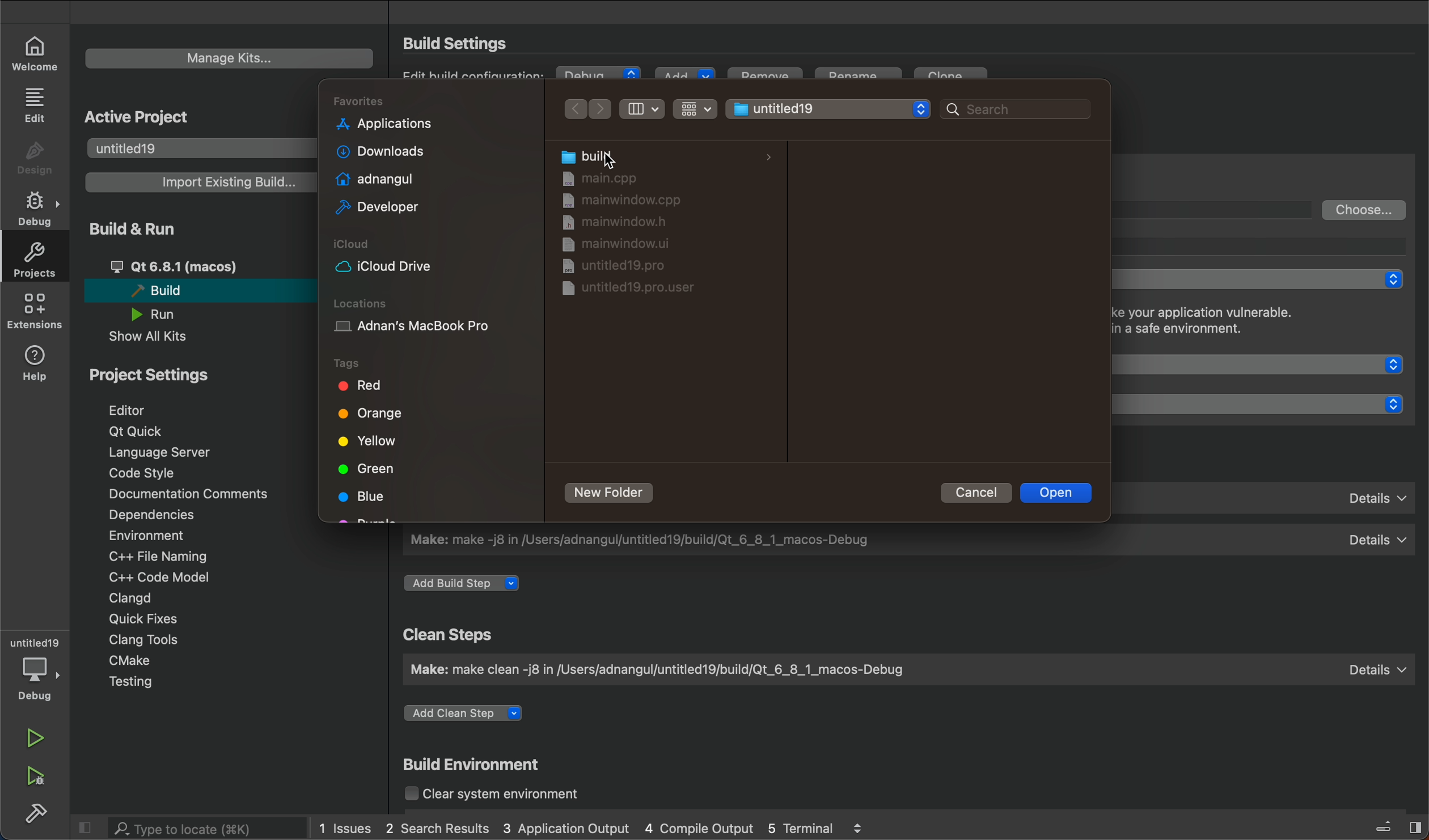  I want to click on make, so click(908, 540).